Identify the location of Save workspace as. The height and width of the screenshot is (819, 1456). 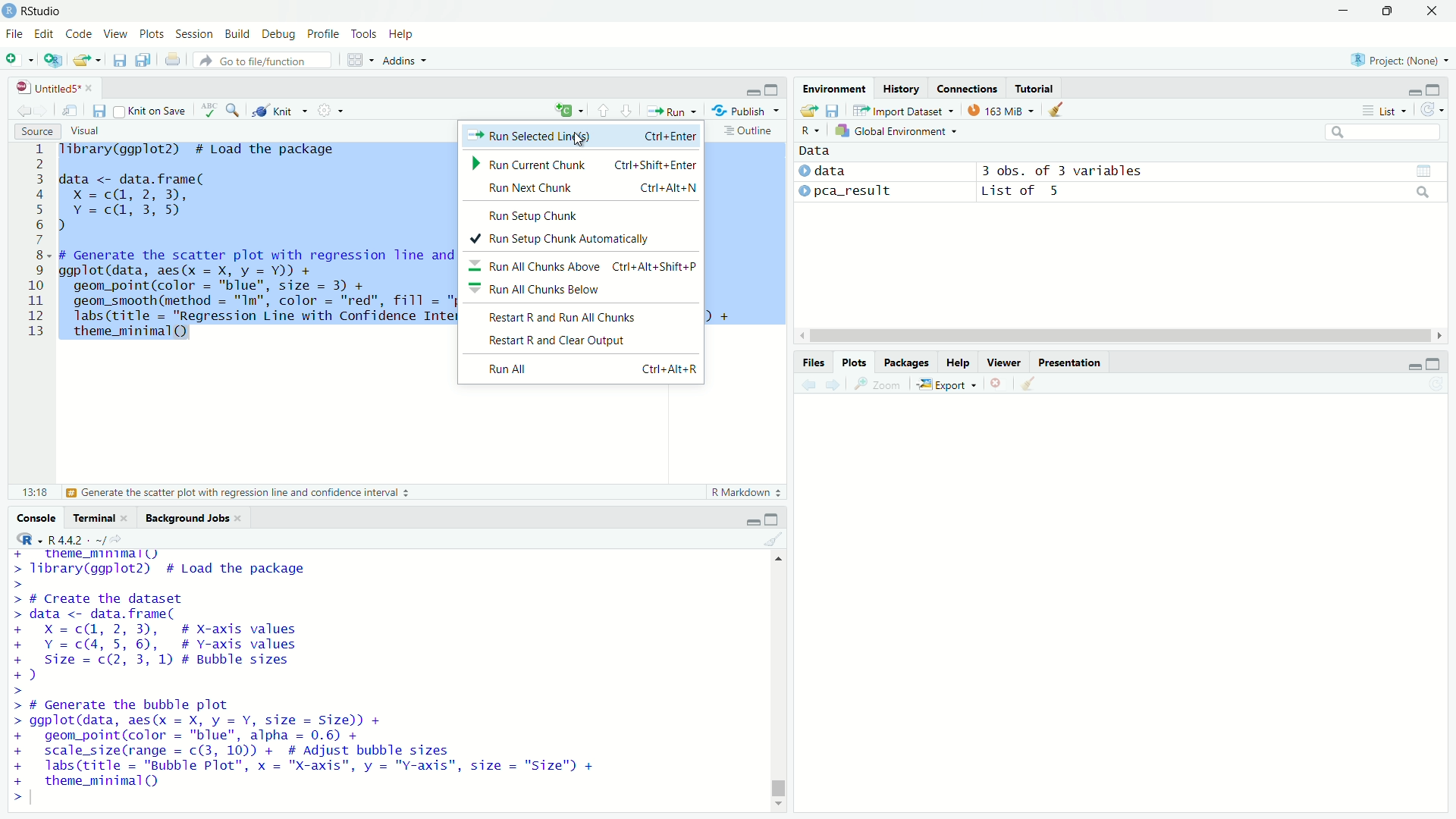
(832, 109).